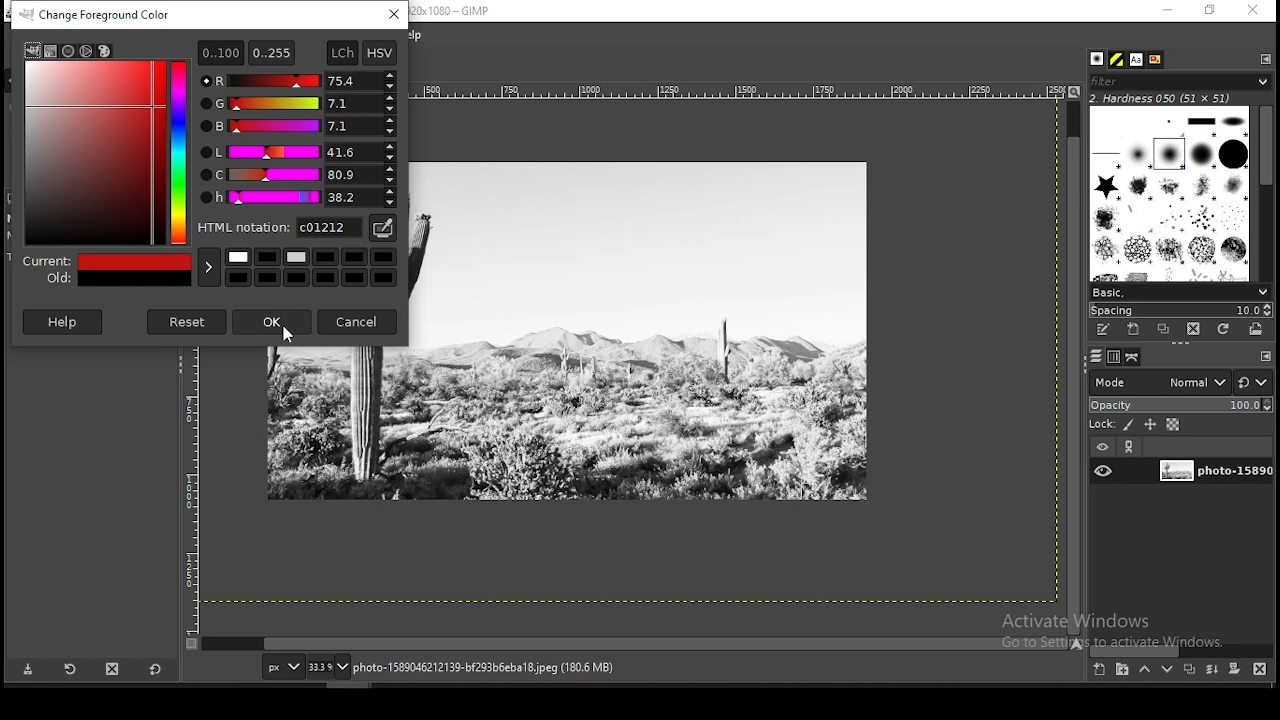 This screenshot has width=1280, height=720. What do you see at coordinates (1138, 59) in the screenshot?
I see `fonts` at bounding box center [1138, 59].